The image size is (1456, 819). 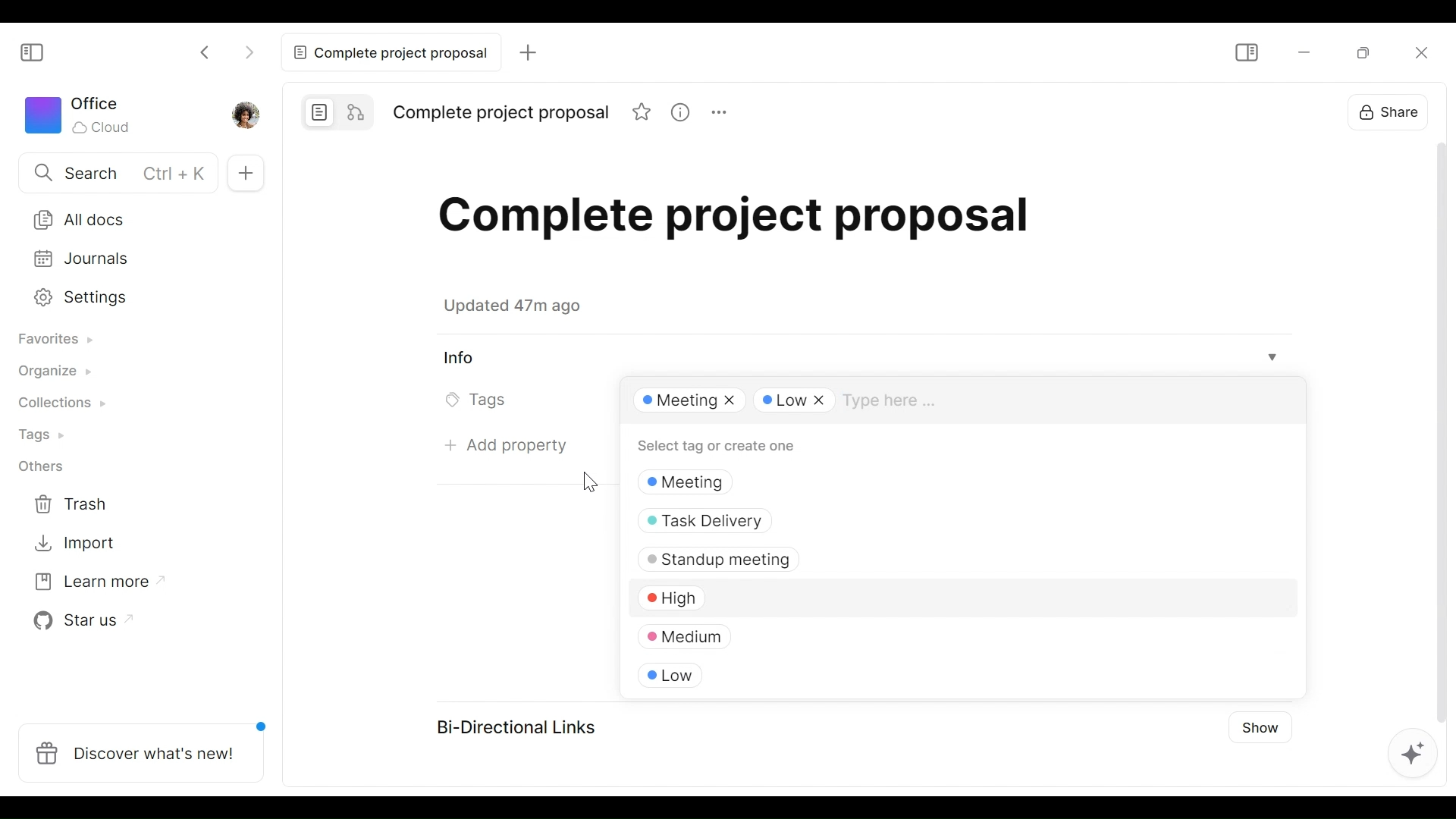 What do you see at coordinates (112, 172) in the screenshot?
I see `Search` at bounding box center [112, 172].